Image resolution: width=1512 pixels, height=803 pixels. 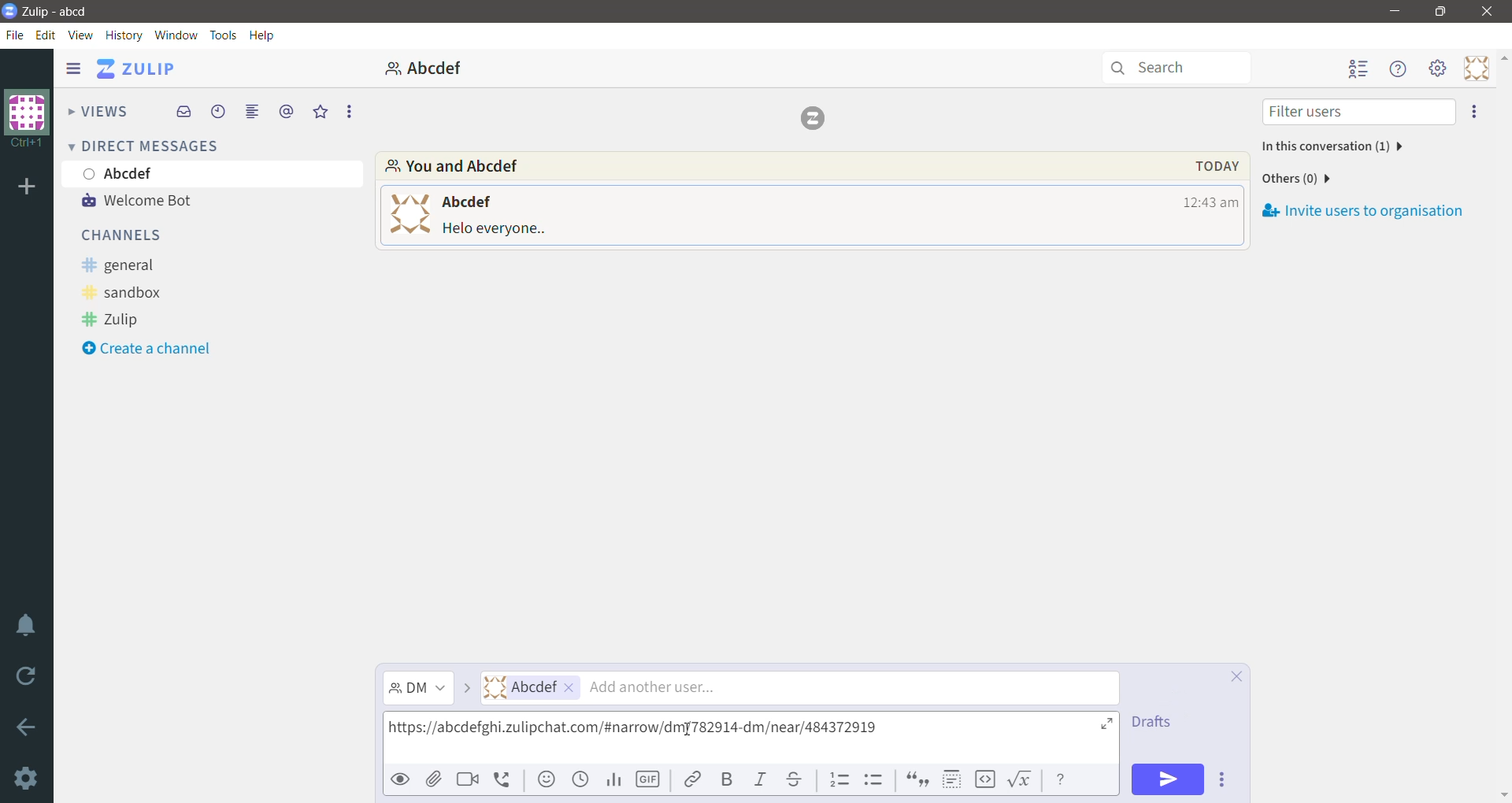 What do you see at coordinates (1488, 12) in the screenshot?
I see `Close` at bounding box center [1488, 12].